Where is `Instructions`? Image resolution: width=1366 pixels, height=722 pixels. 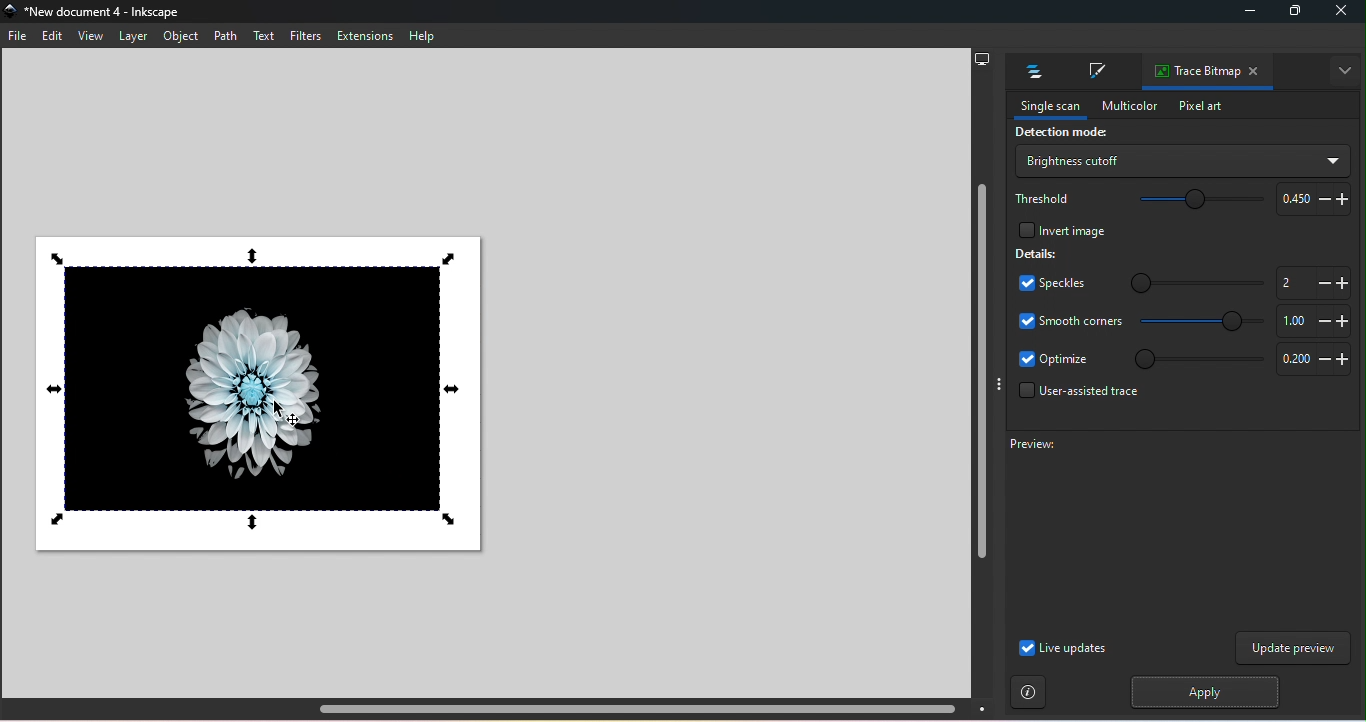
Instructions is located at coordinates (1029, 693).